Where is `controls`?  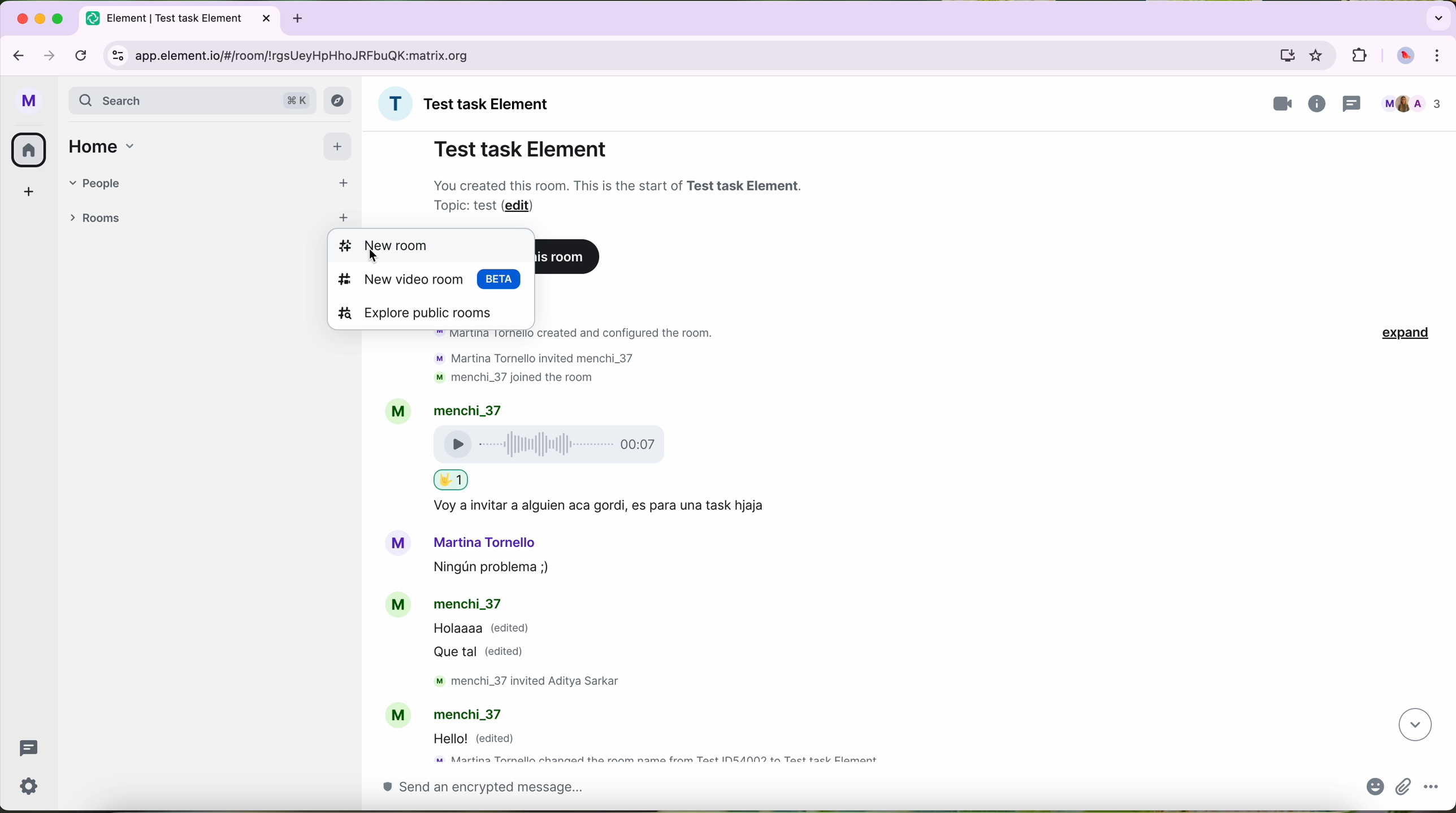 controls is located at coordinates (118, 57).